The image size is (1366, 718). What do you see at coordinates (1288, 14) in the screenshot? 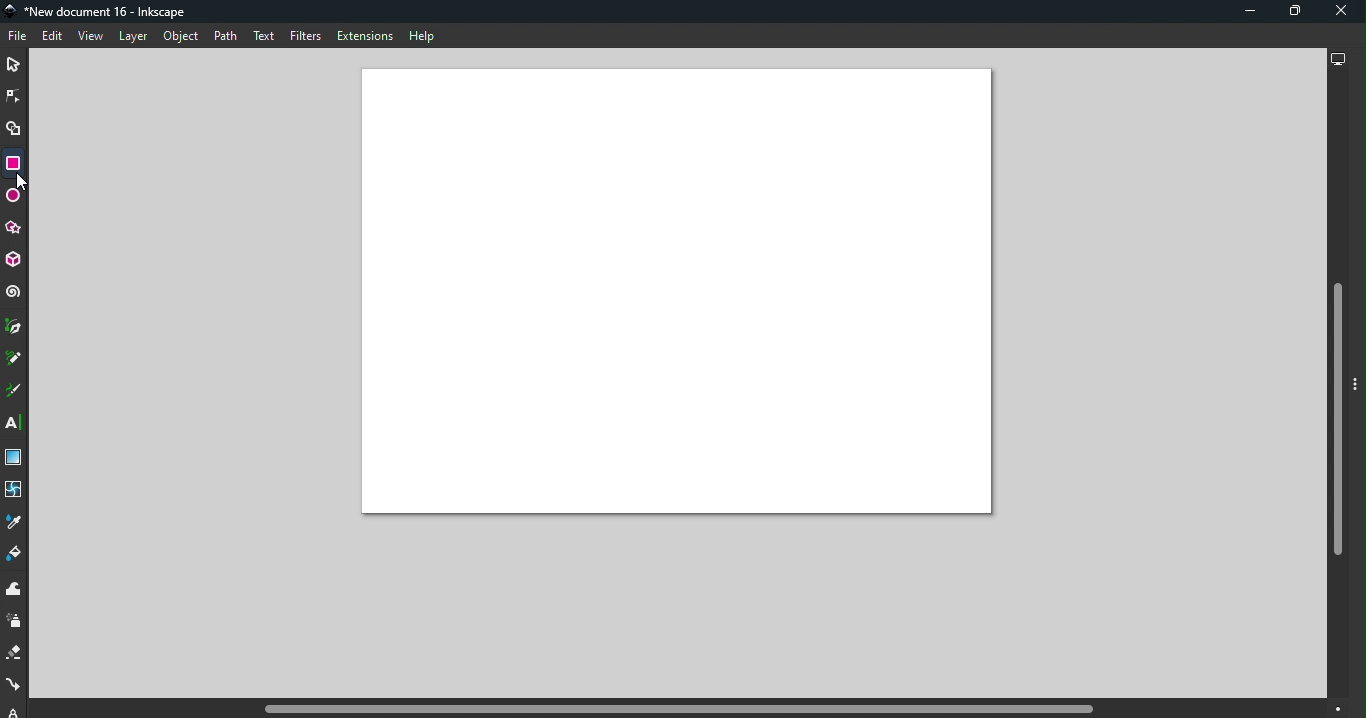
I see `Maximize` at bounding box center [1288, 14].